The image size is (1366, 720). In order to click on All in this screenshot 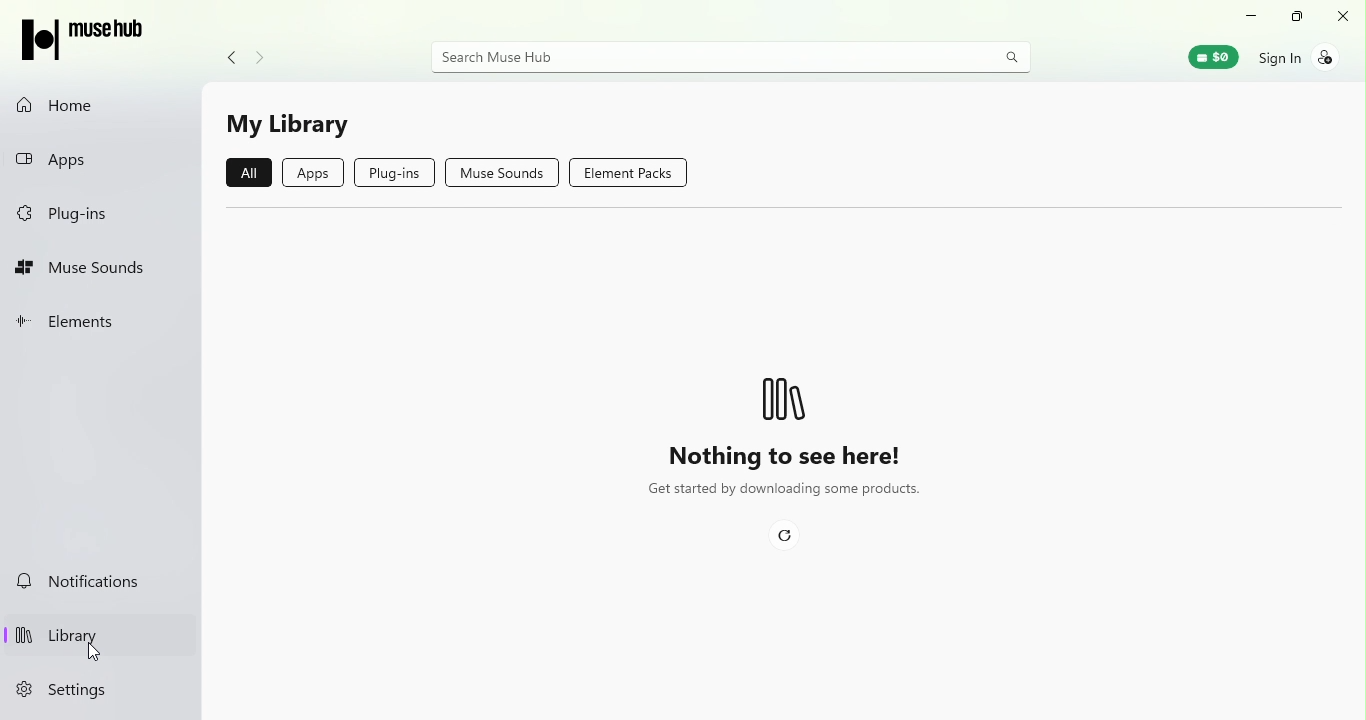, I will do `click(248, 171)`.